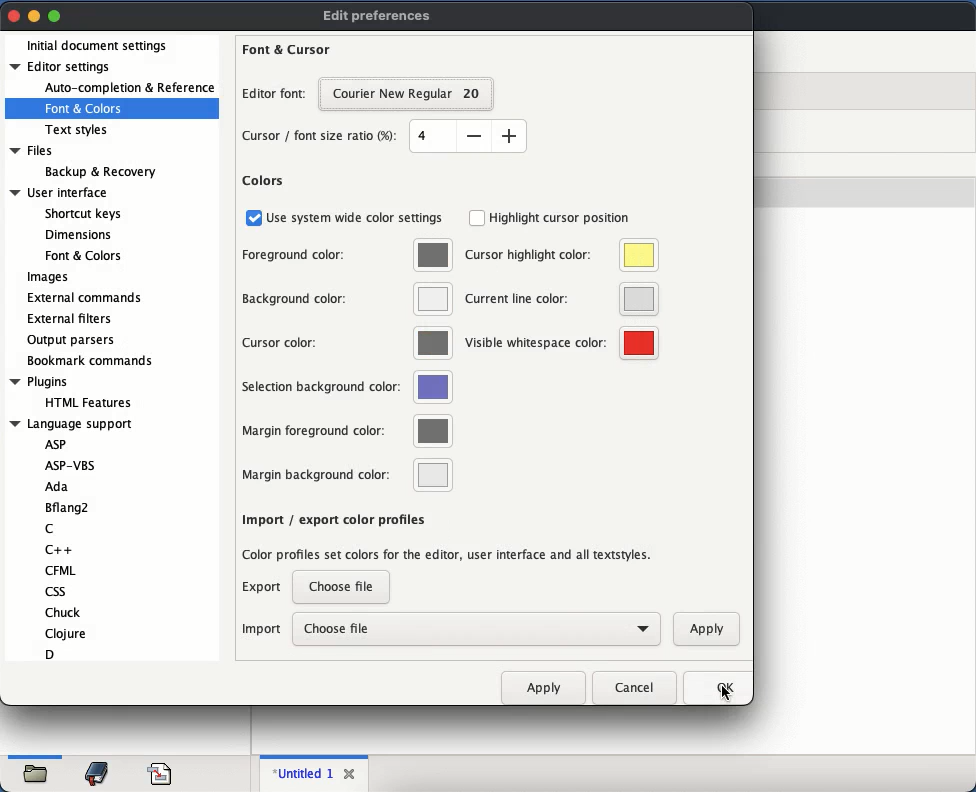 This screenshot has height=792, width=976. Describe the element at coordinates (639, 299) in the screenshot. I see `color` at that location.